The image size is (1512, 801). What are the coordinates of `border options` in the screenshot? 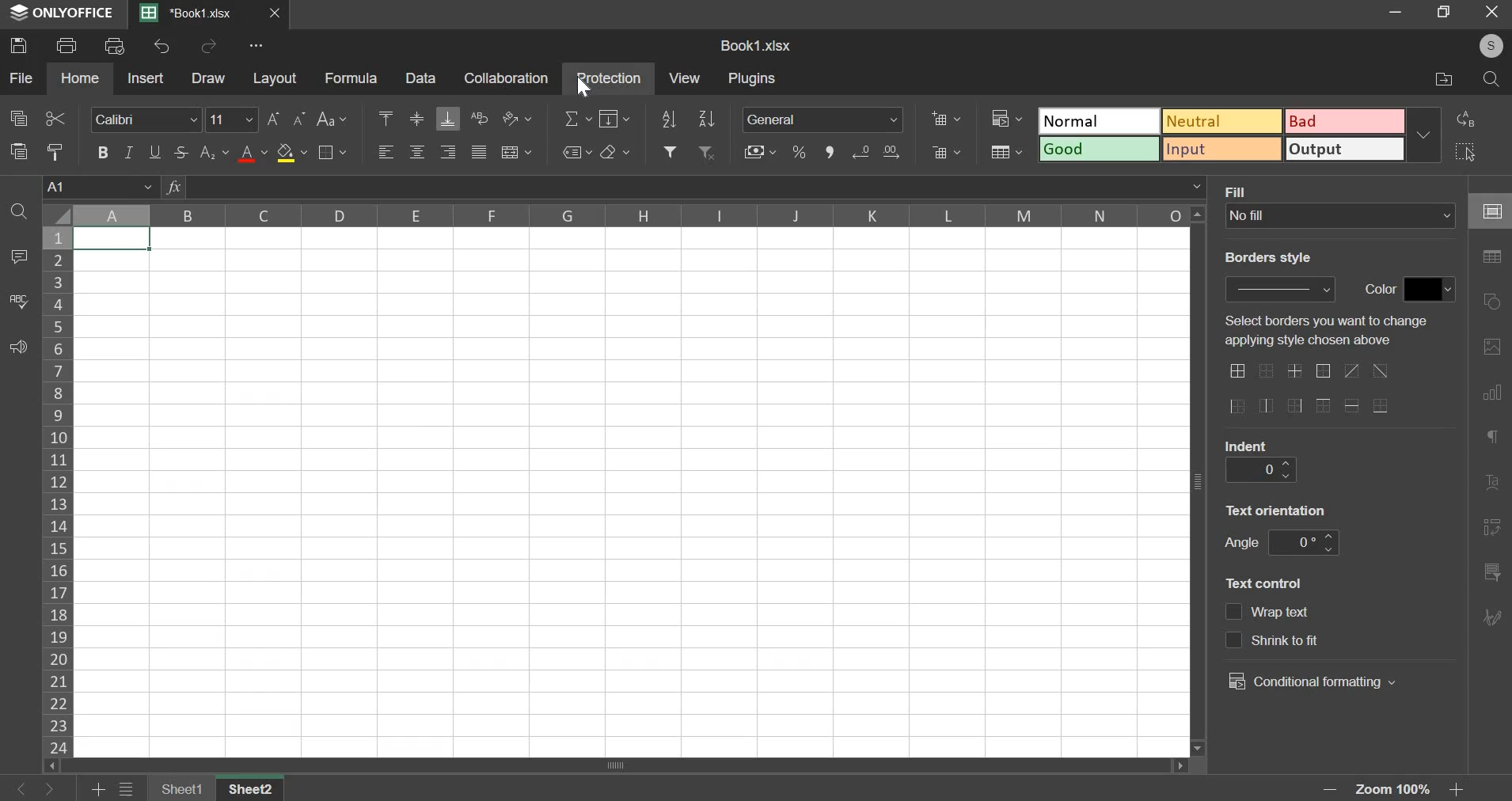 It's located at (1266, 406).